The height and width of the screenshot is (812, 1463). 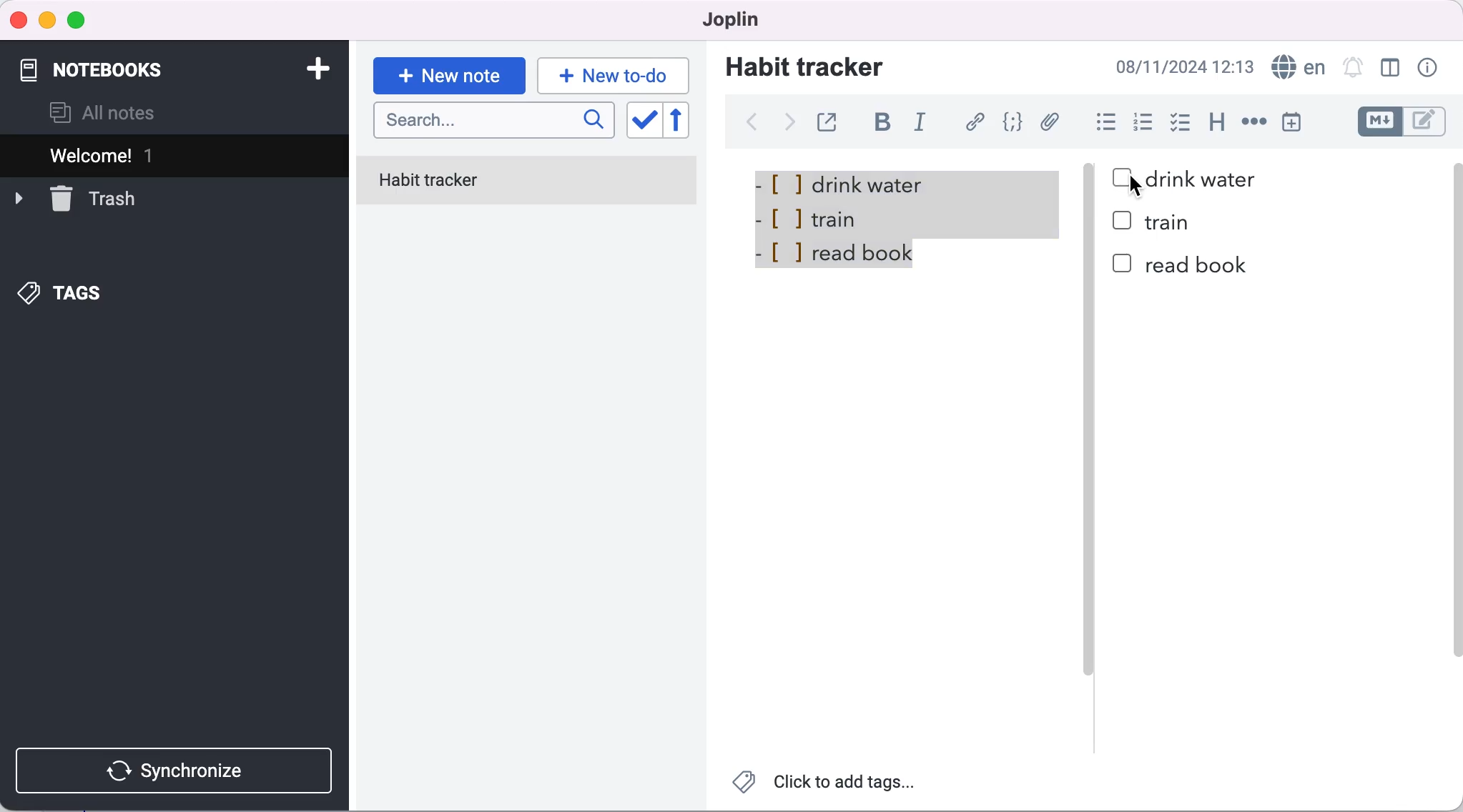 I want to click on joplin, so click(x=725, y=19).